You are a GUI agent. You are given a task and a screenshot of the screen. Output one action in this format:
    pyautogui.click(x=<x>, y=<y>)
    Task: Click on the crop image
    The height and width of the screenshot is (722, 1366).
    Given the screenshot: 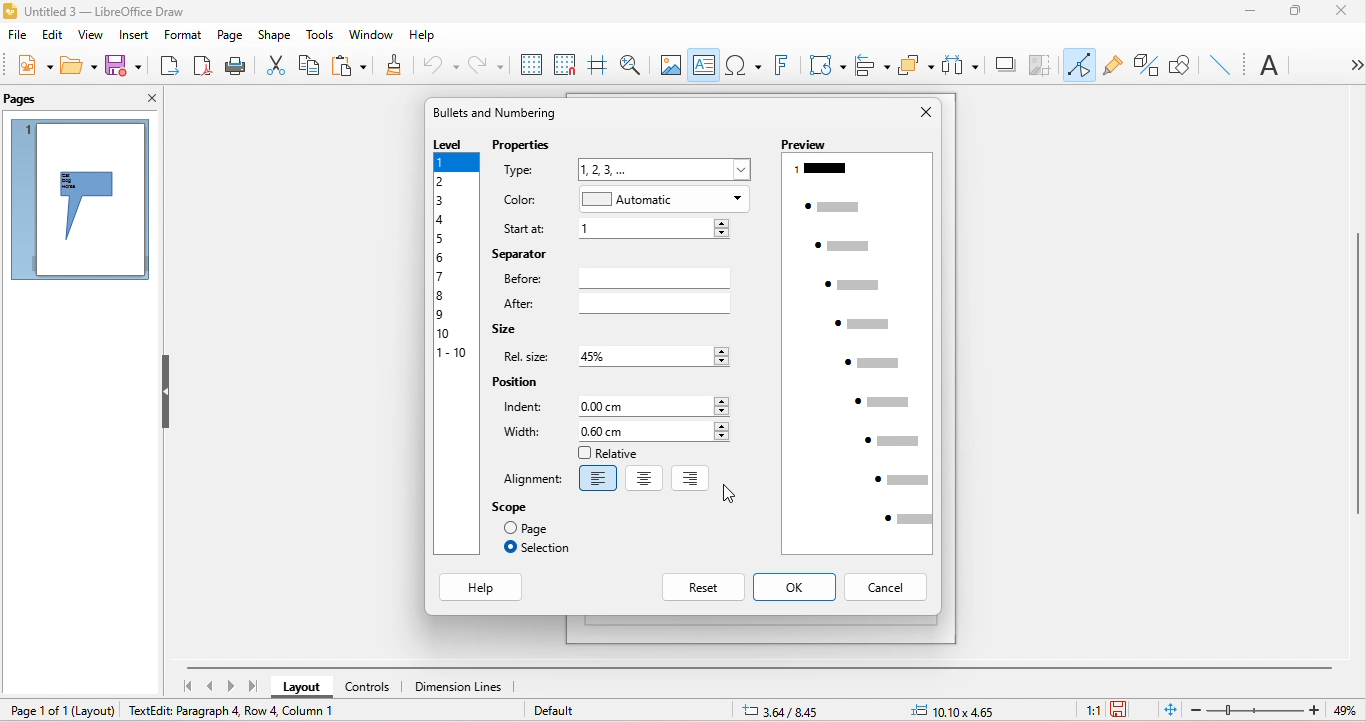 What is the action you would take?
    pyautogui.click(x=1042, y=66)
    